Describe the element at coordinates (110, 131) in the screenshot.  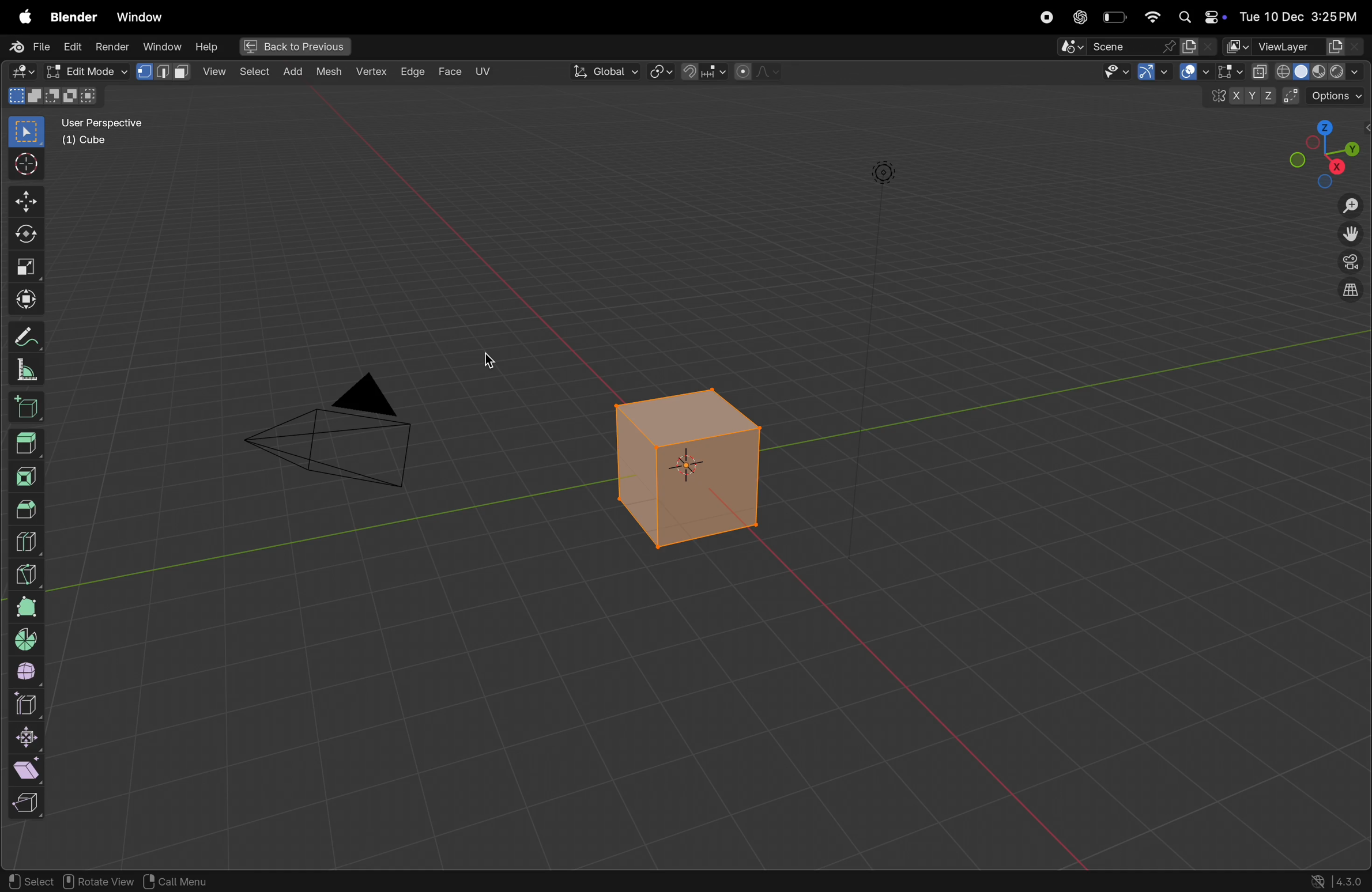
I see `user perscpective` at that location.